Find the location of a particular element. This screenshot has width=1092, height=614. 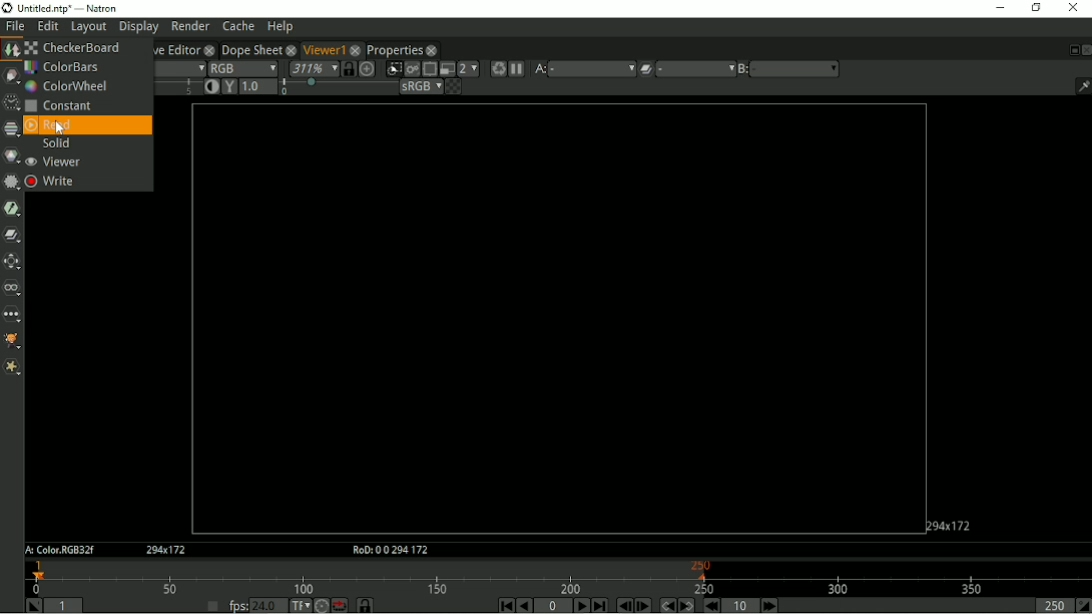

Playback out point is located at coordinates (1050, 606).